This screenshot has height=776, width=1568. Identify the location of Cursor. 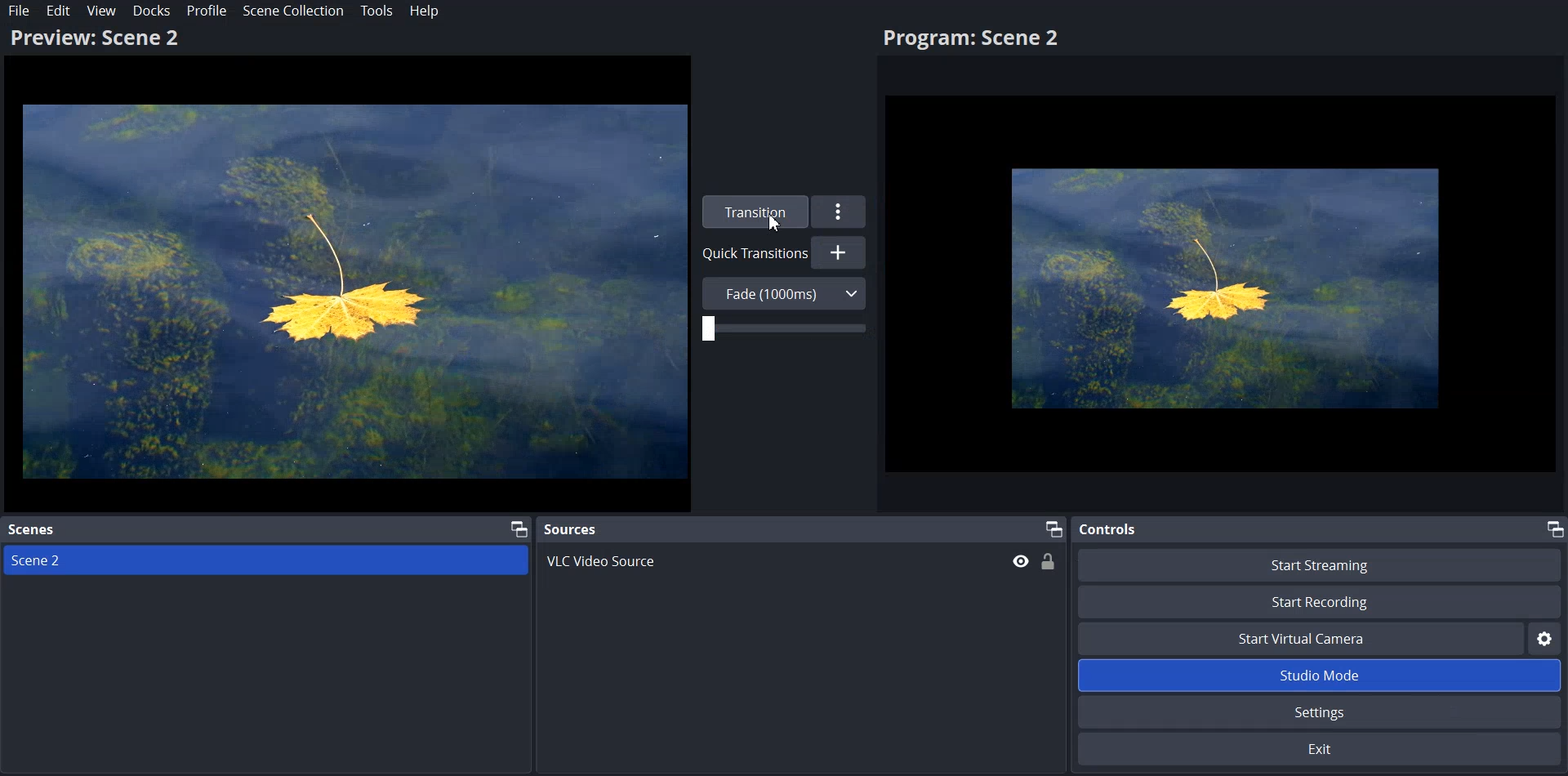
(777, 225).